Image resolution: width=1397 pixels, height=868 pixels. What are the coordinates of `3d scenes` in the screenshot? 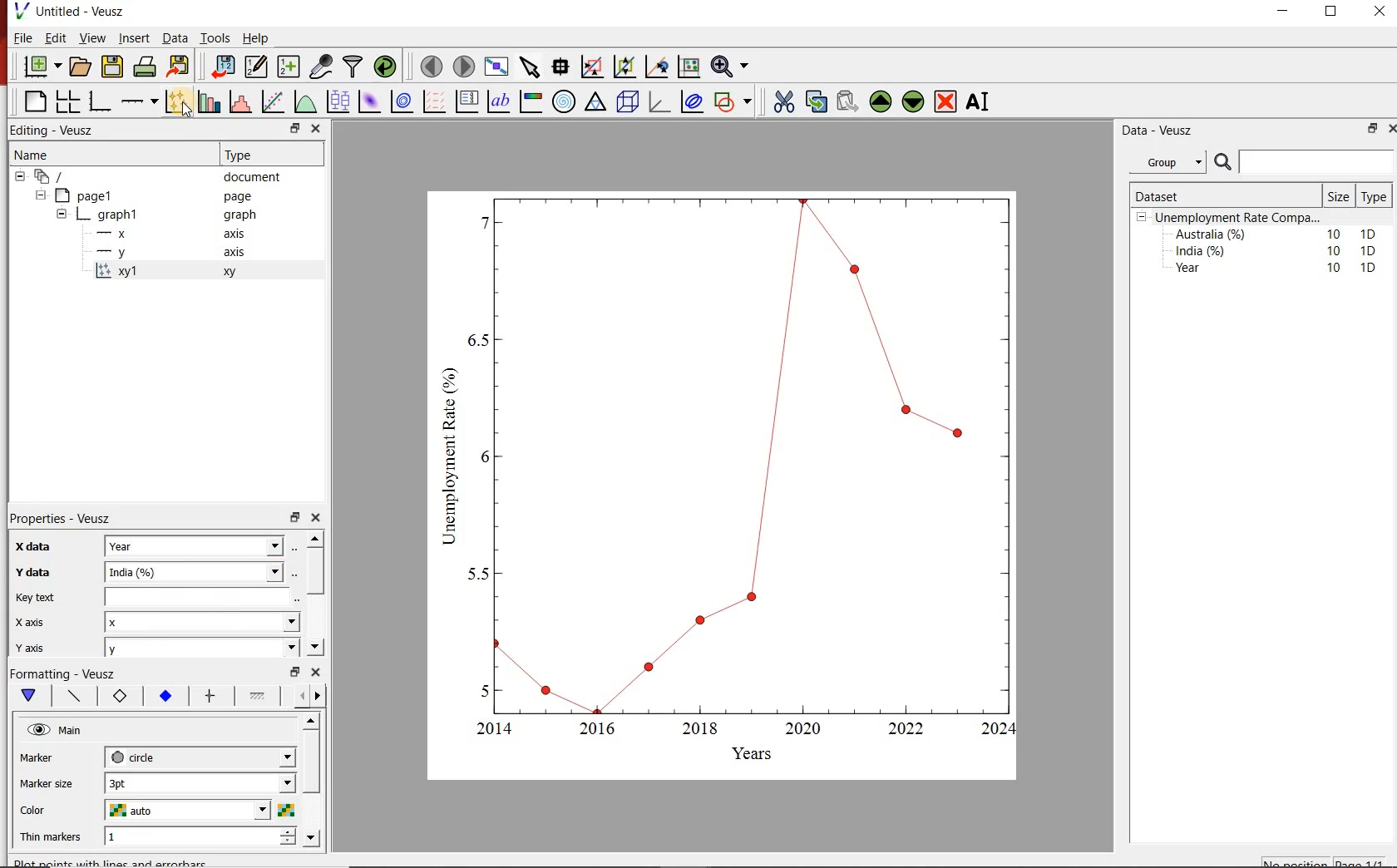 It's located at (625, 101).